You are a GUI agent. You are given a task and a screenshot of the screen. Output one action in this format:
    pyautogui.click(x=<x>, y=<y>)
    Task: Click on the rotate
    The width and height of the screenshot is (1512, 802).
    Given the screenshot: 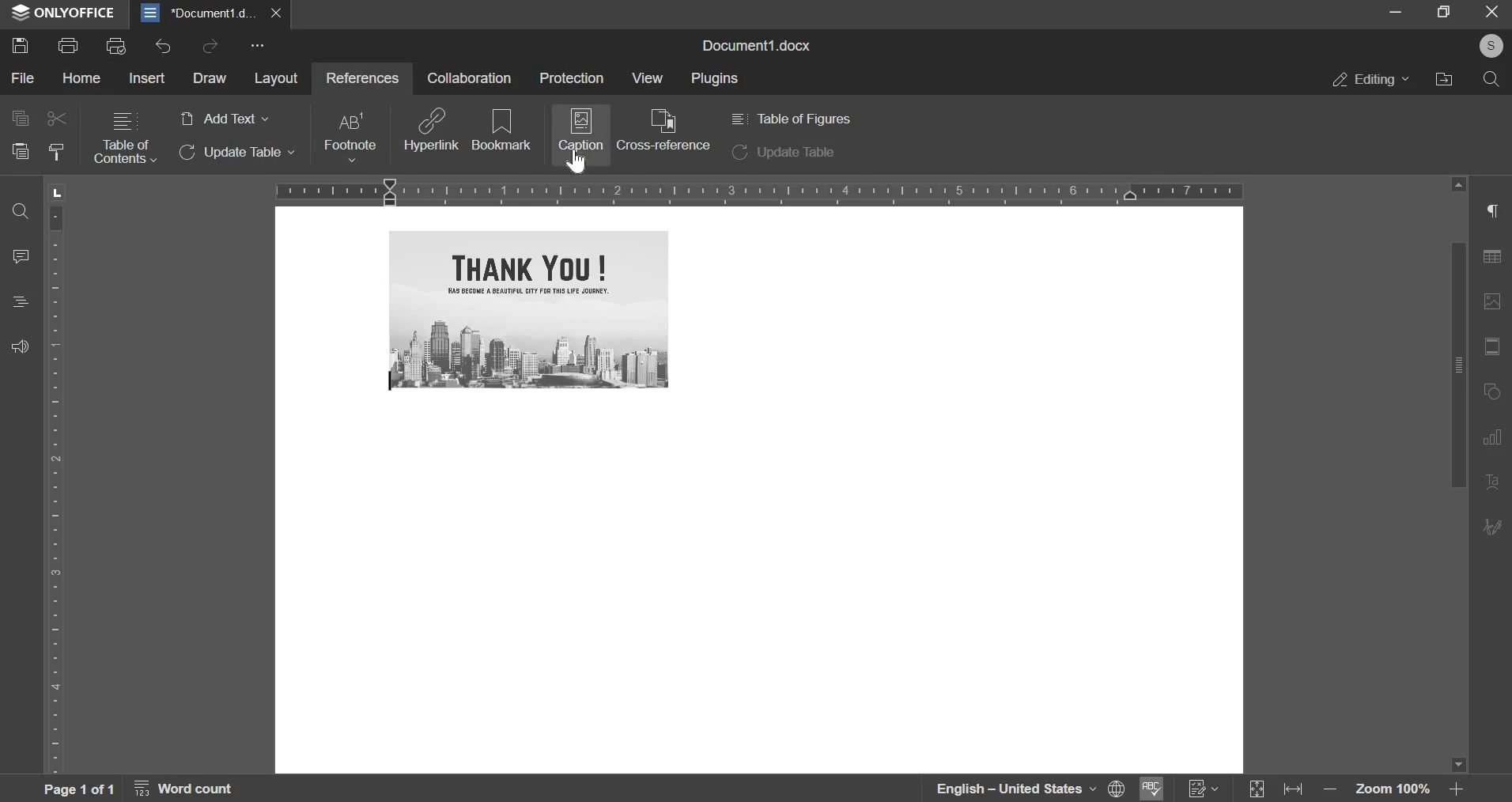 What is the action you would take?
    pyautogui.click(x=1495, y=393)
    